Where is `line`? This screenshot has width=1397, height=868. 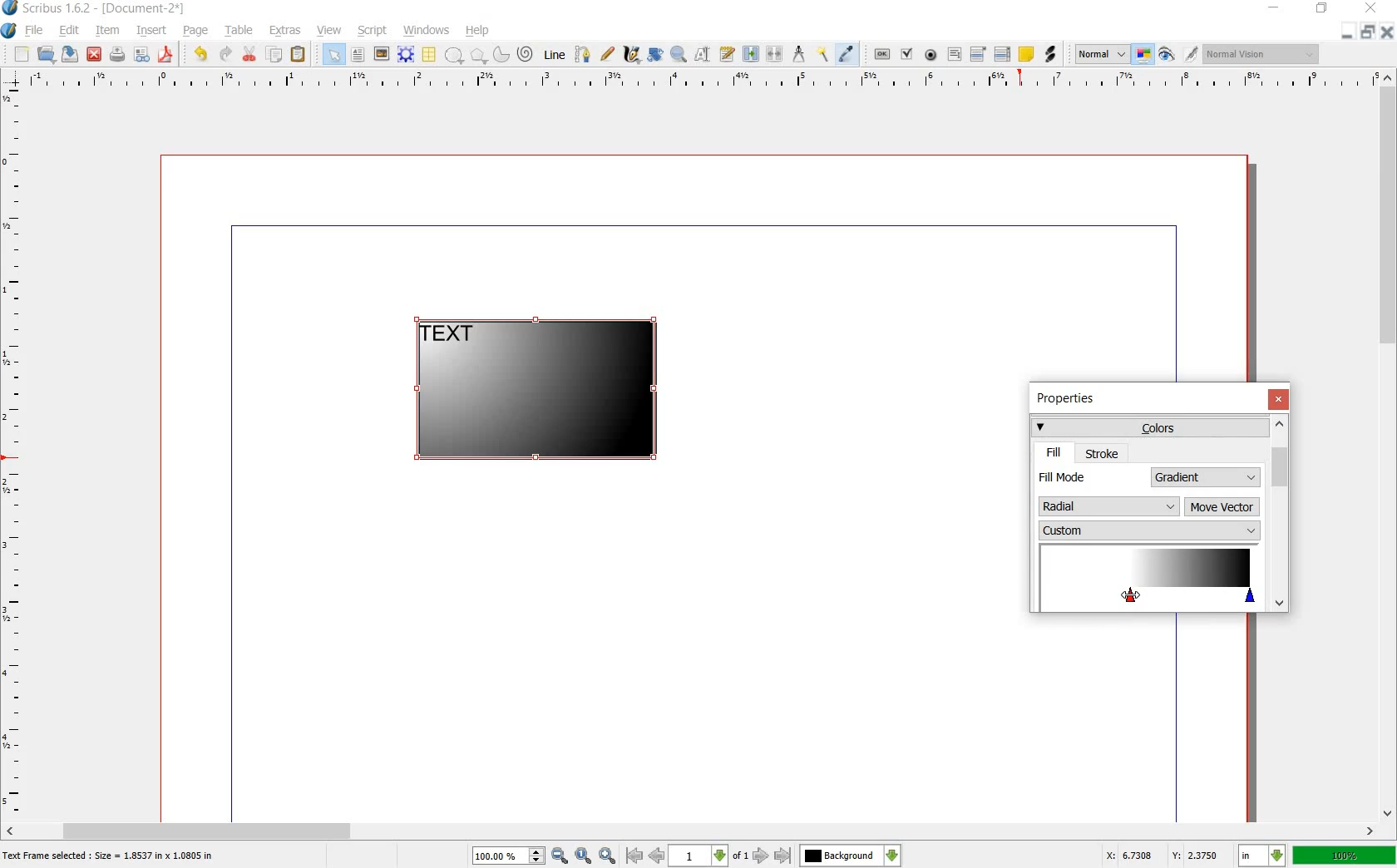
line is located at coordinates (556, 56).